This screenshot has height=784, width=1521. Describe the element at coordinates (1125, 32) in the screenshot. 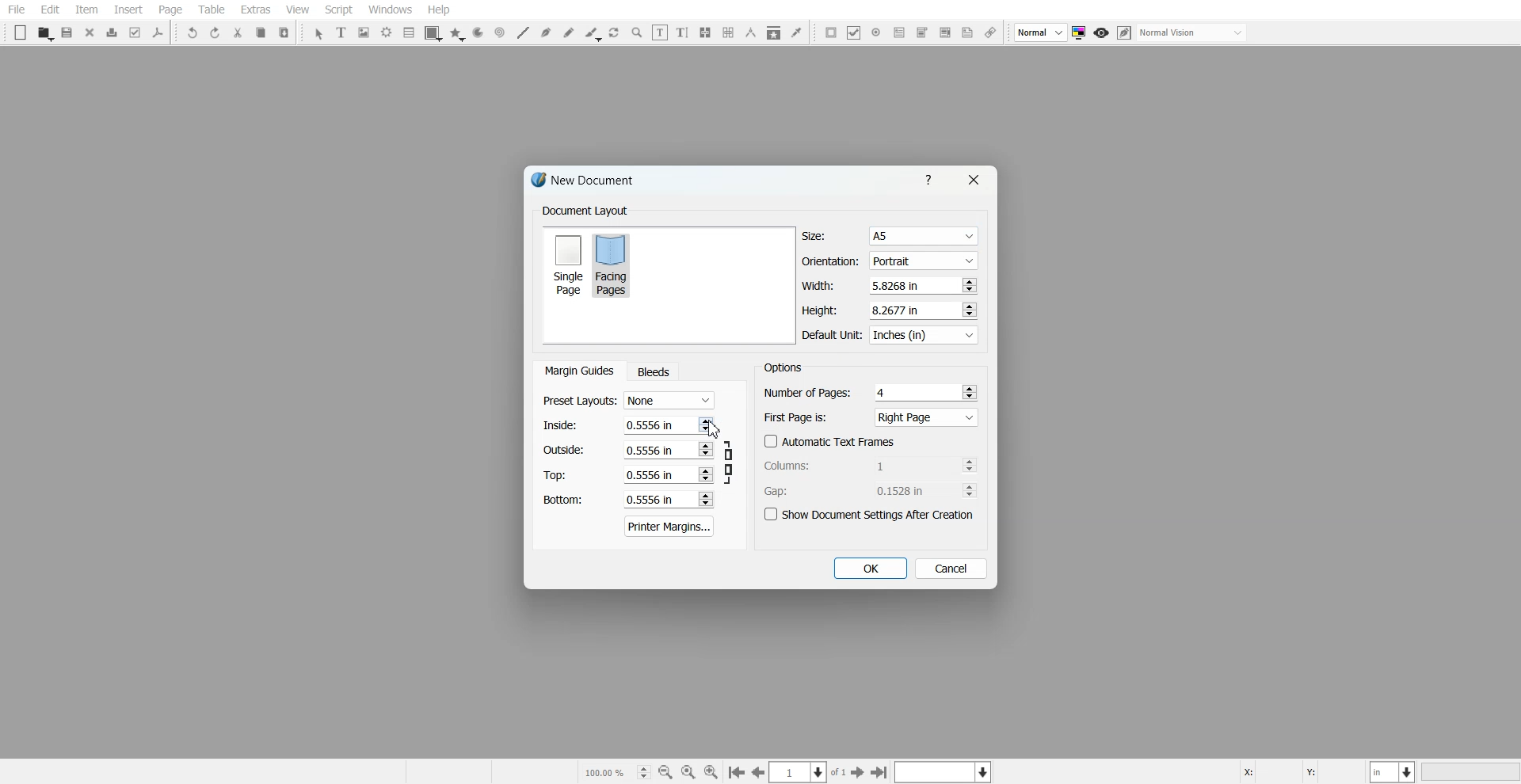

I see `Edit in preview mode` at that location.